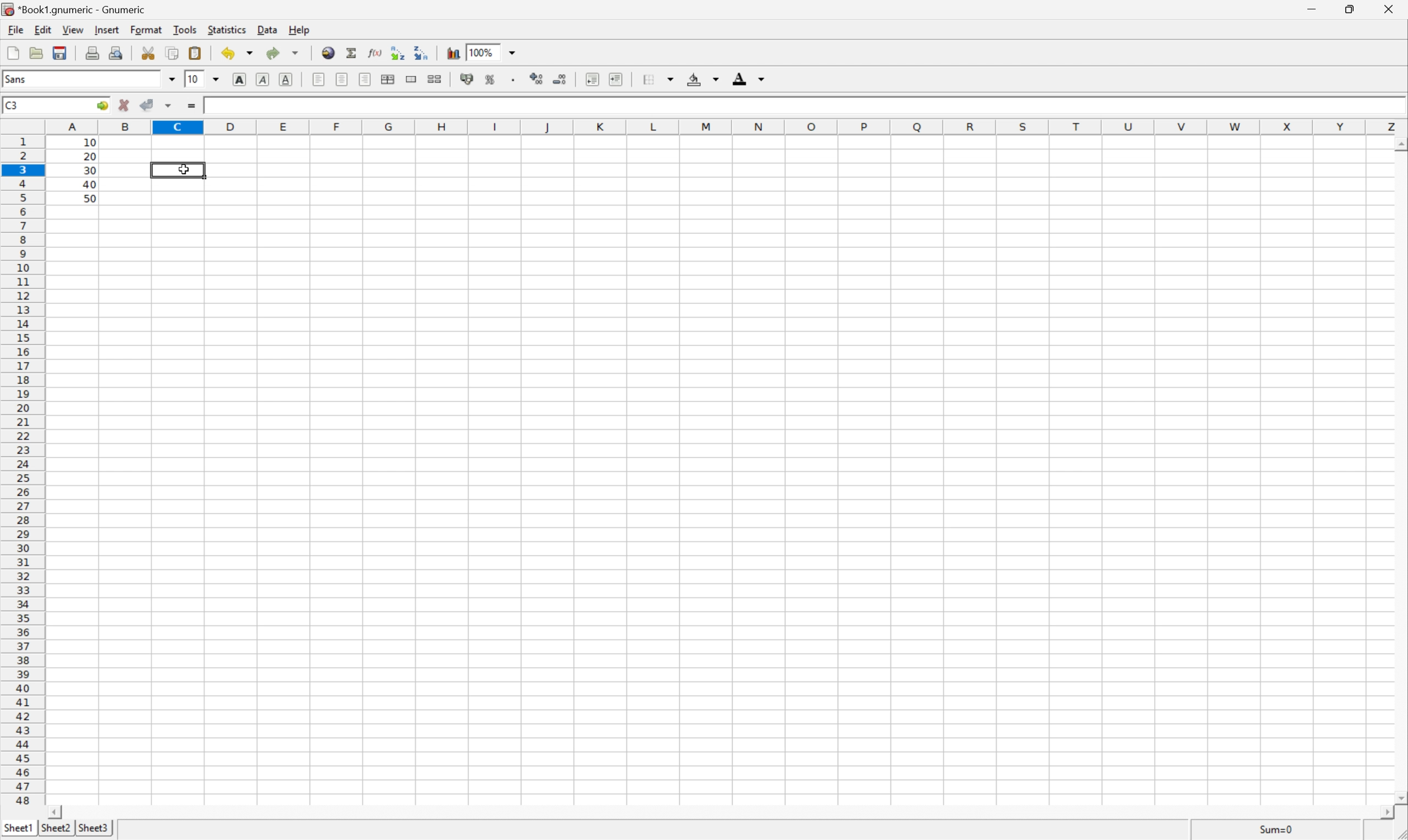 The image size is (1408, 840). Describe the element at coordinates (761, 79) in the screenshot. I see `Drop down` at that location.